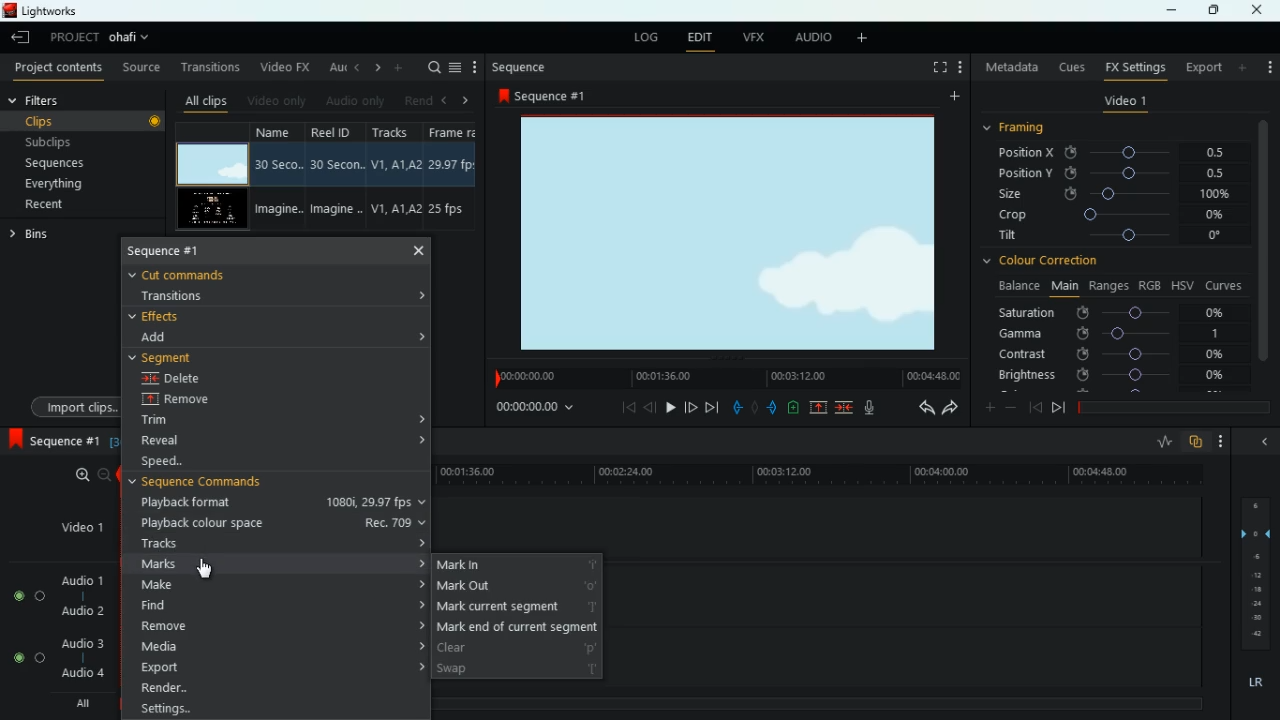  What do you see at coordinates (919, 408) in the screenshot?
I see `back` at bounding box center [919, 408].